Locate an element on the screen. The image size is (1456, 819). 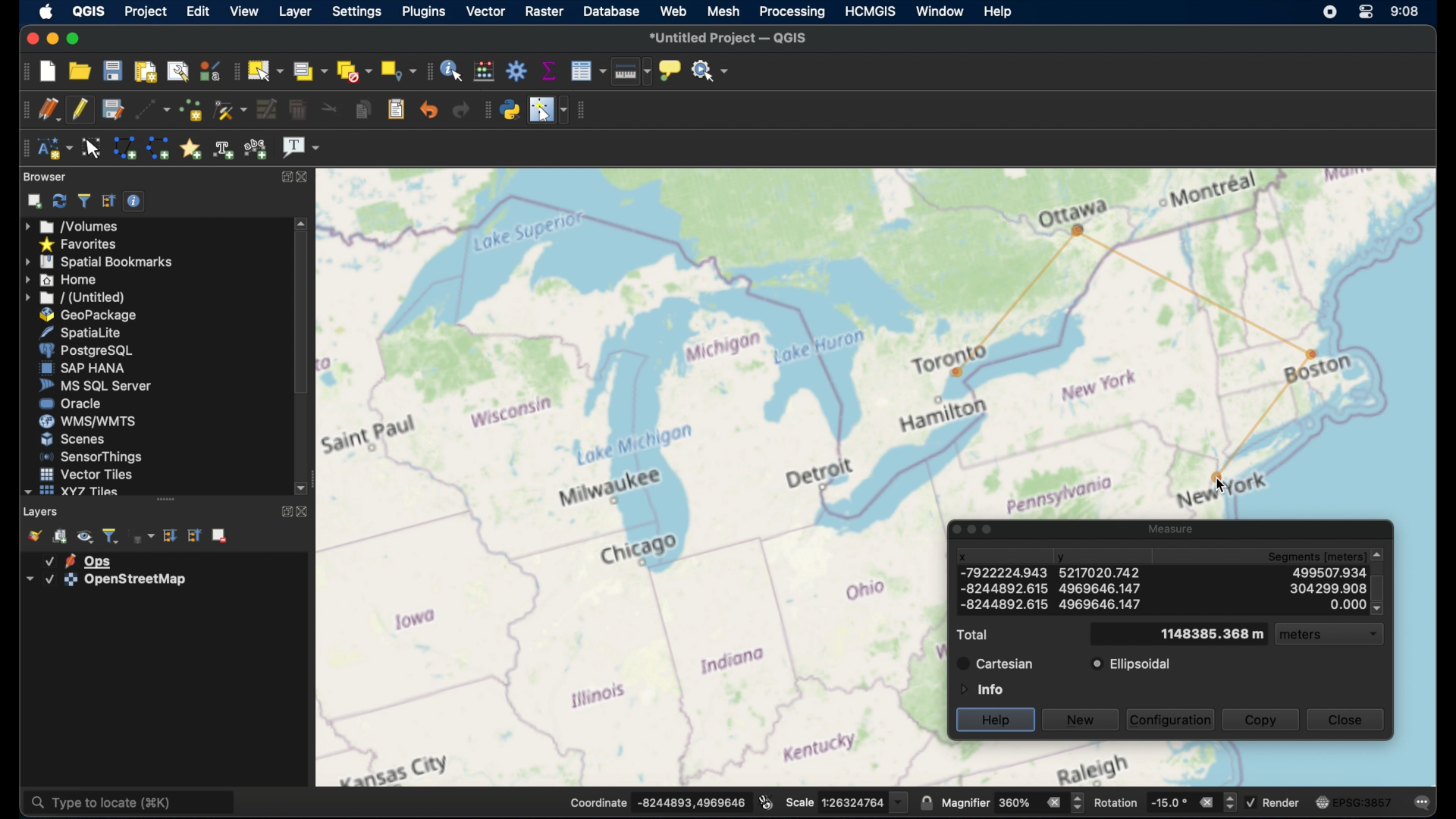
coordinate is located at coordinates (656, 801).